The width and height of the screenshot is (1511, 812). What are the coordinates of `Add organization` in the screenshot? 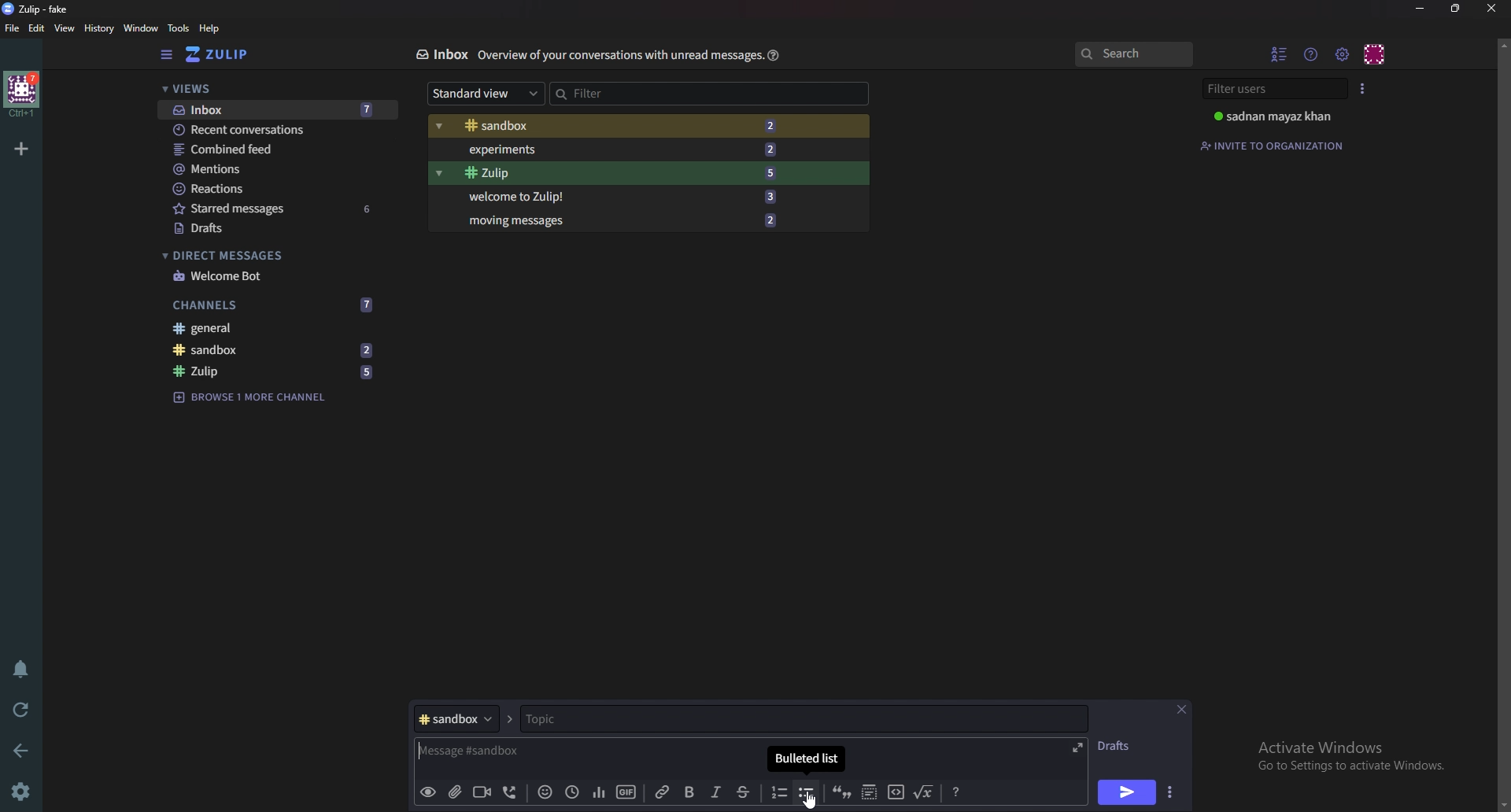 It's located at (20, 148).